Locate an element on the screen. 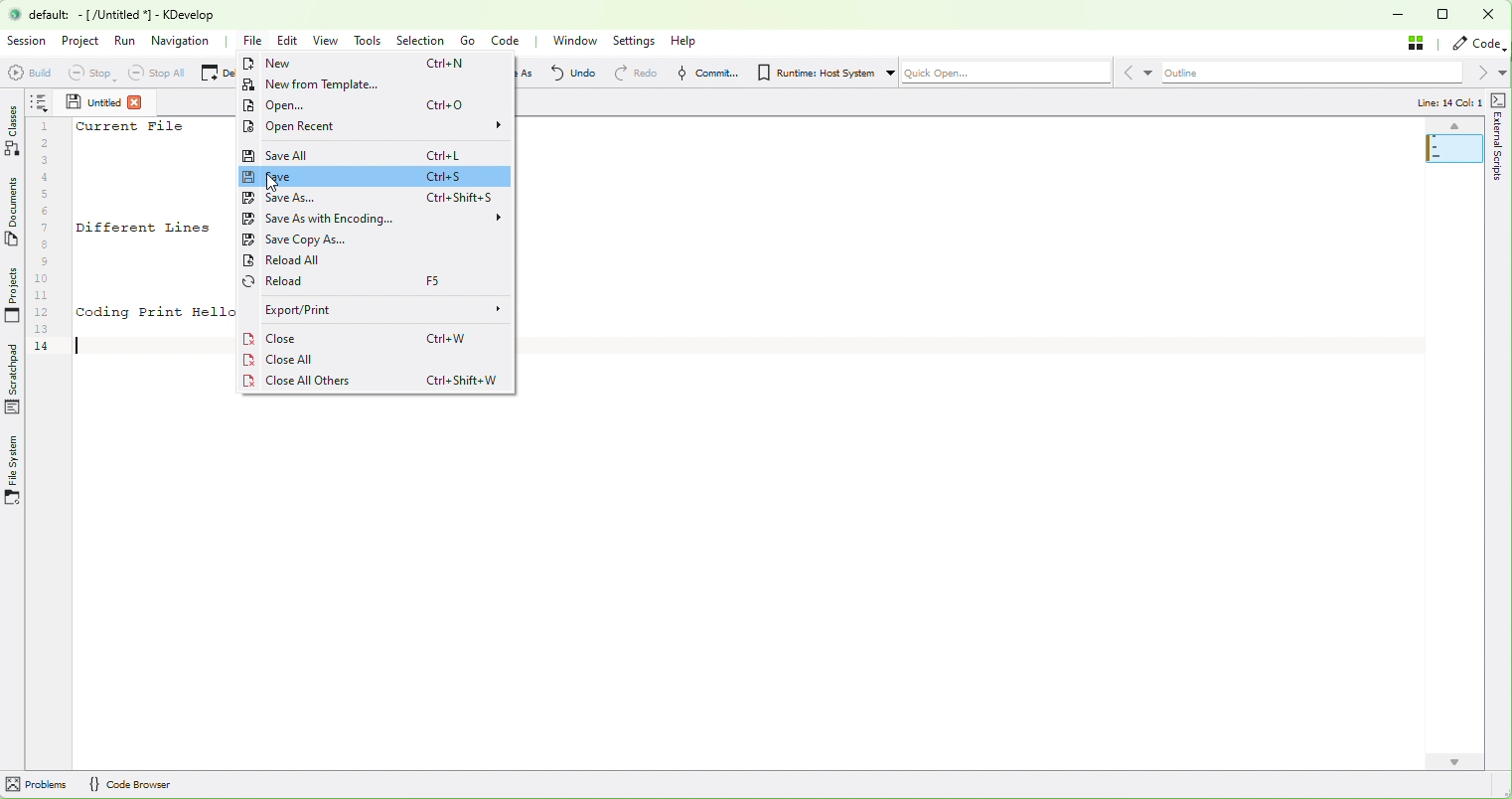  Commit is located at coordinates (702, 74).